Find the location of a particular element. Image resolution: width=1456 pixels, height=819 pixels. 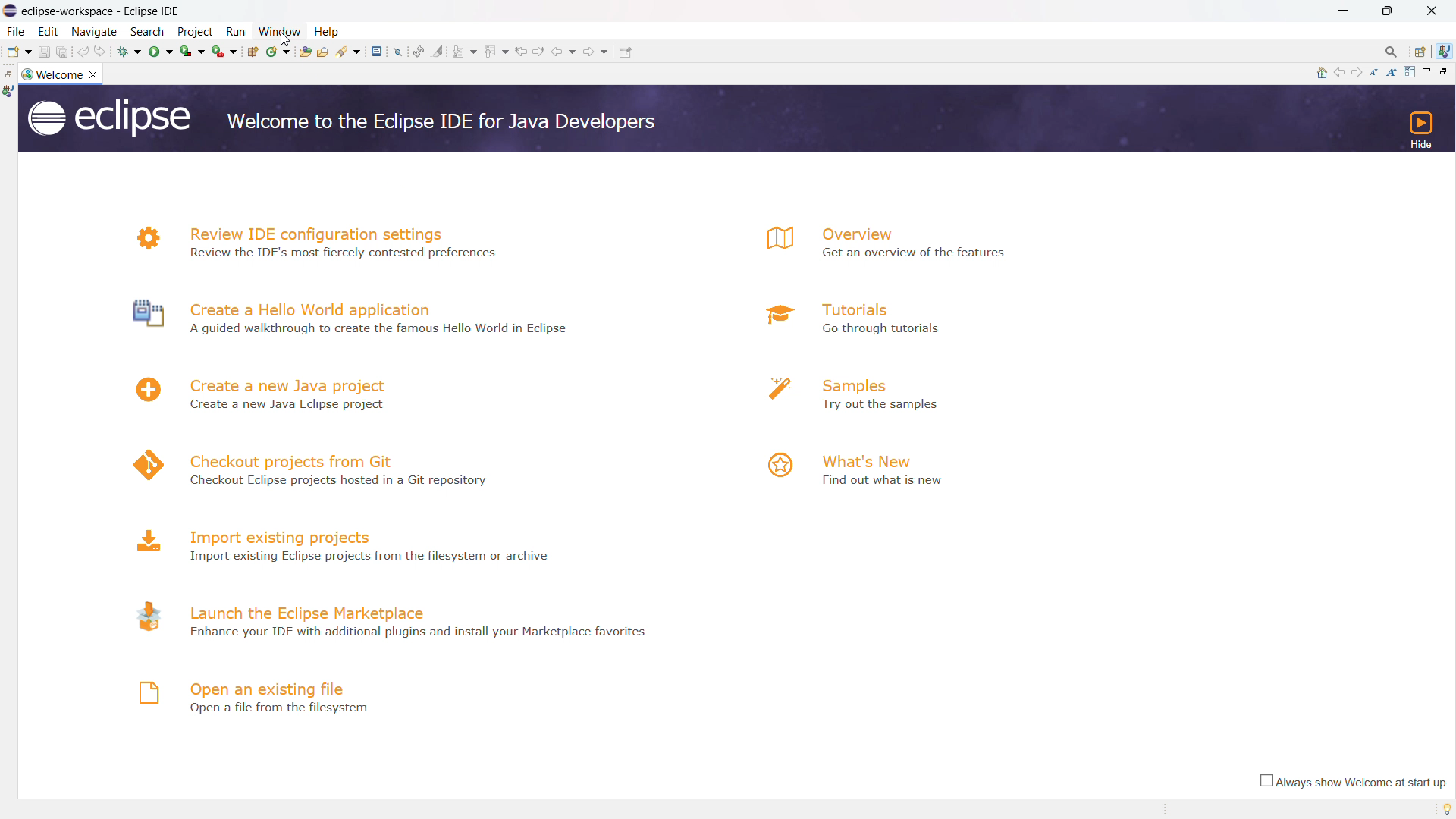

navigate is located at coordinates (95, 32).